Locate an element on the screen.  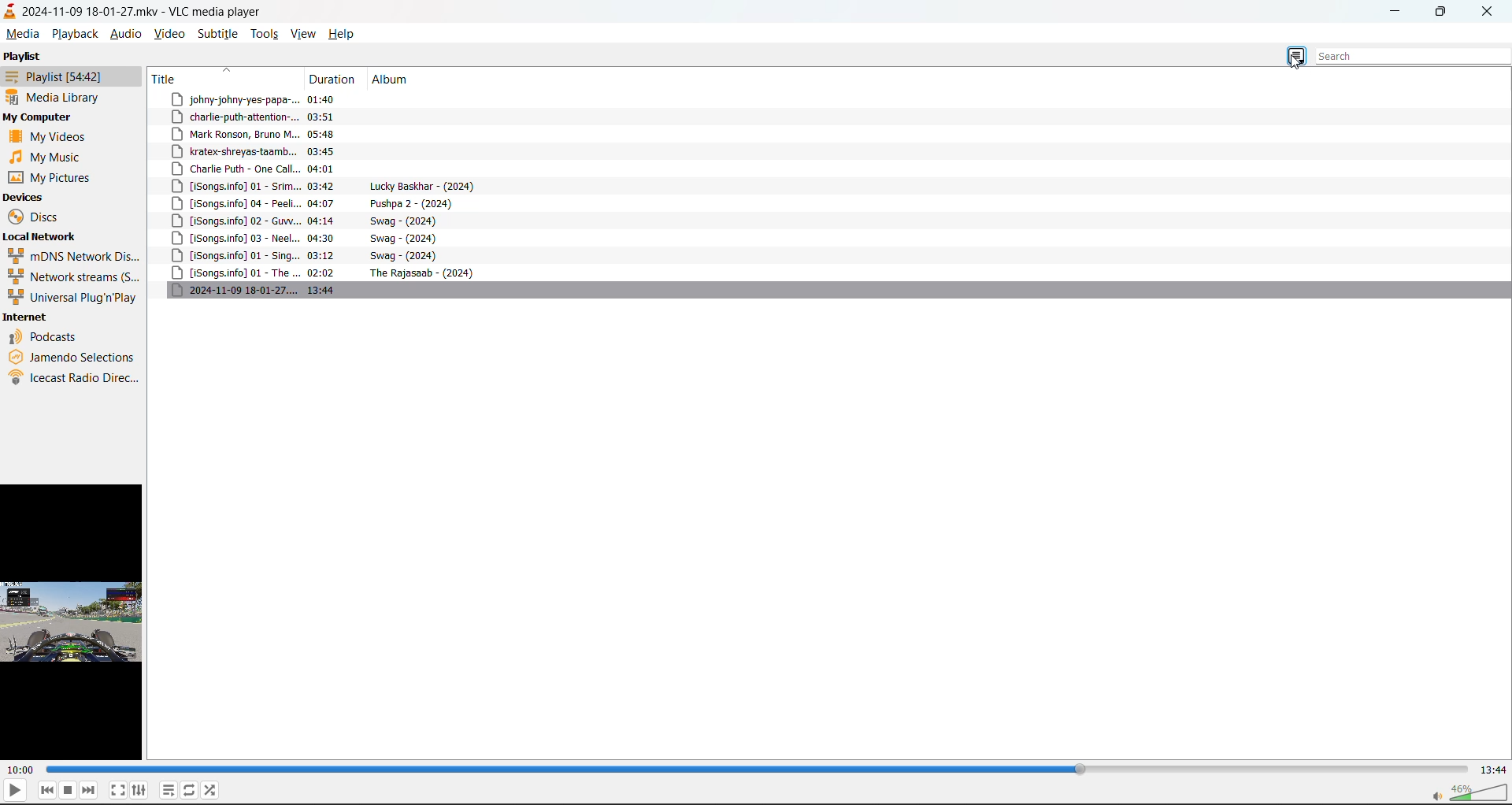
album is located at coordinates (395, 80).